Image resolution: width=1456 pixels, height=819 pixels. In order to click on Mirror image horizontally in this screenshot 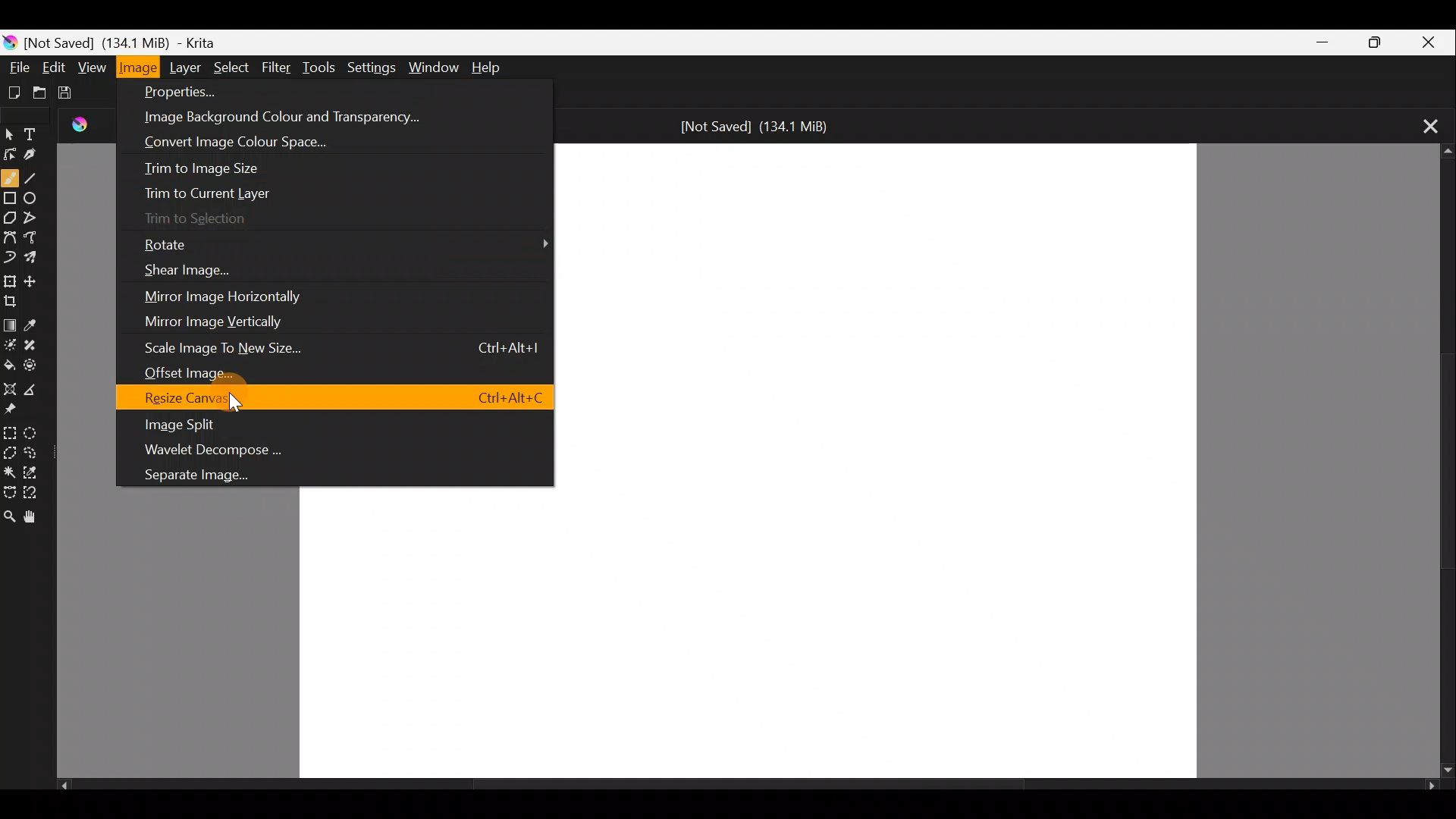, I will do `click(226, 296)`.